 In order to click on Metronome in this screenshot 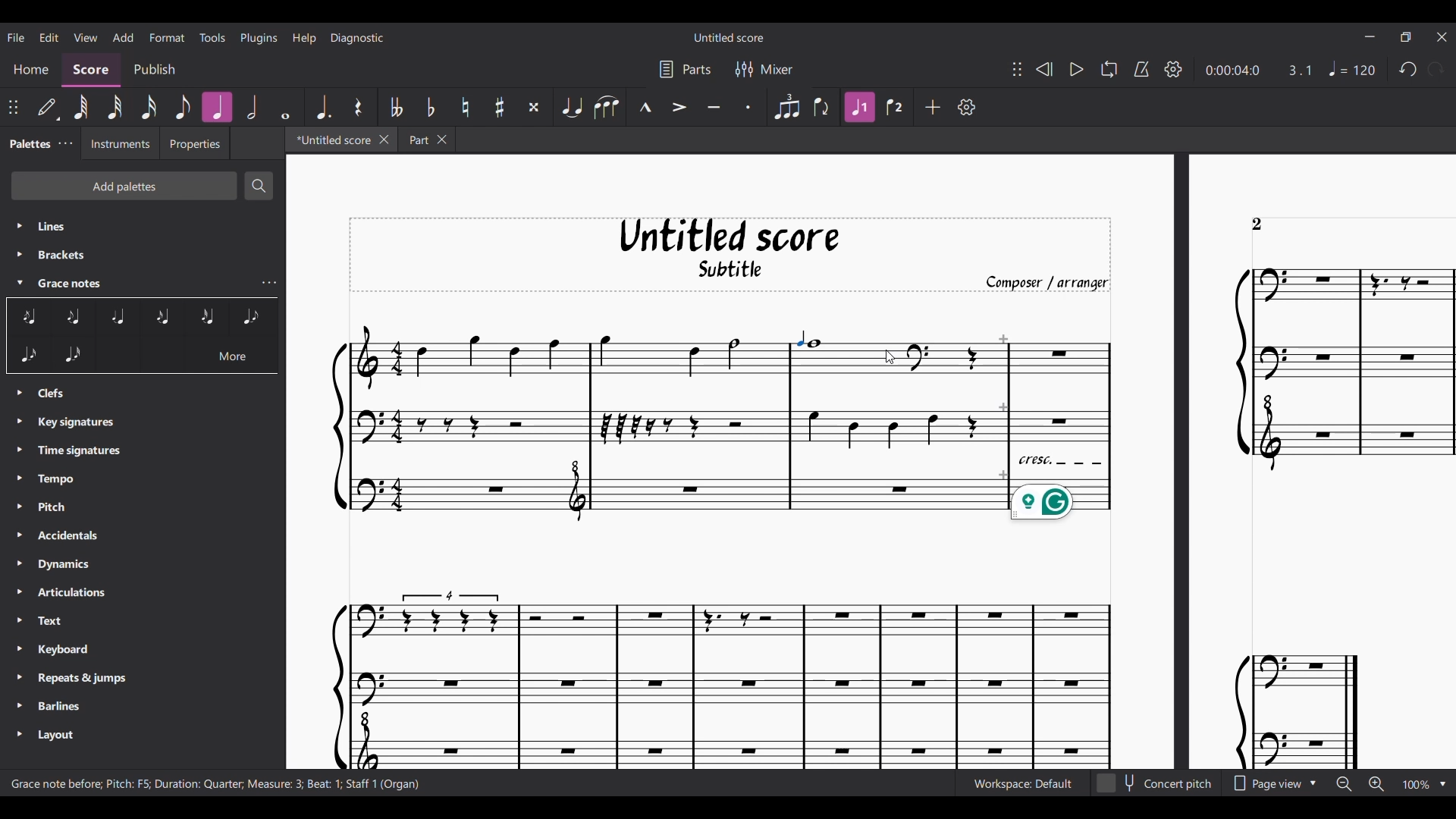, I will do `click(1141, 69)`.